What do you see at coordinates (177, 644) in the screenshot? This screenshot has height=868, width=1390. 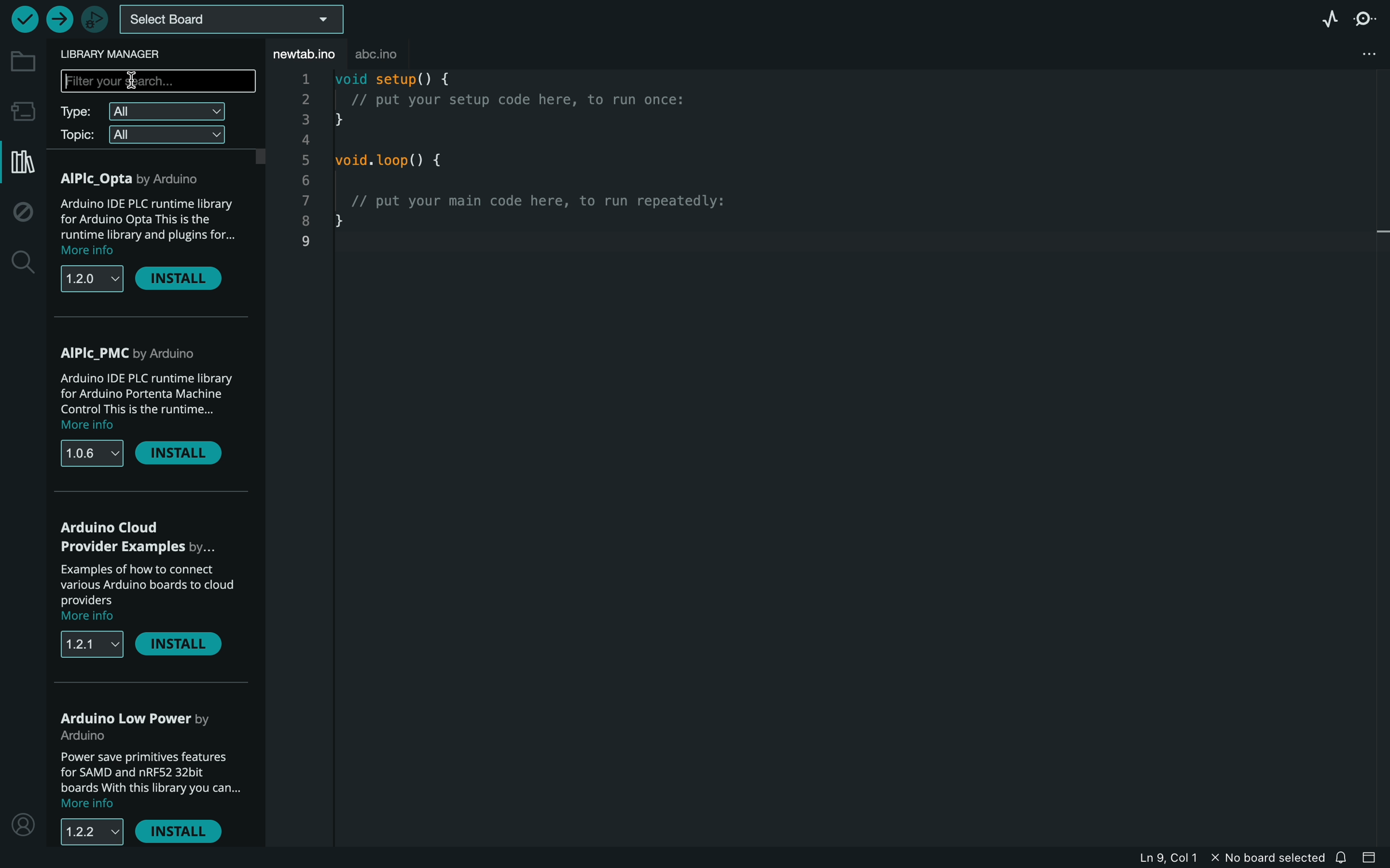 I see `install` at bounding box center [177, 644].